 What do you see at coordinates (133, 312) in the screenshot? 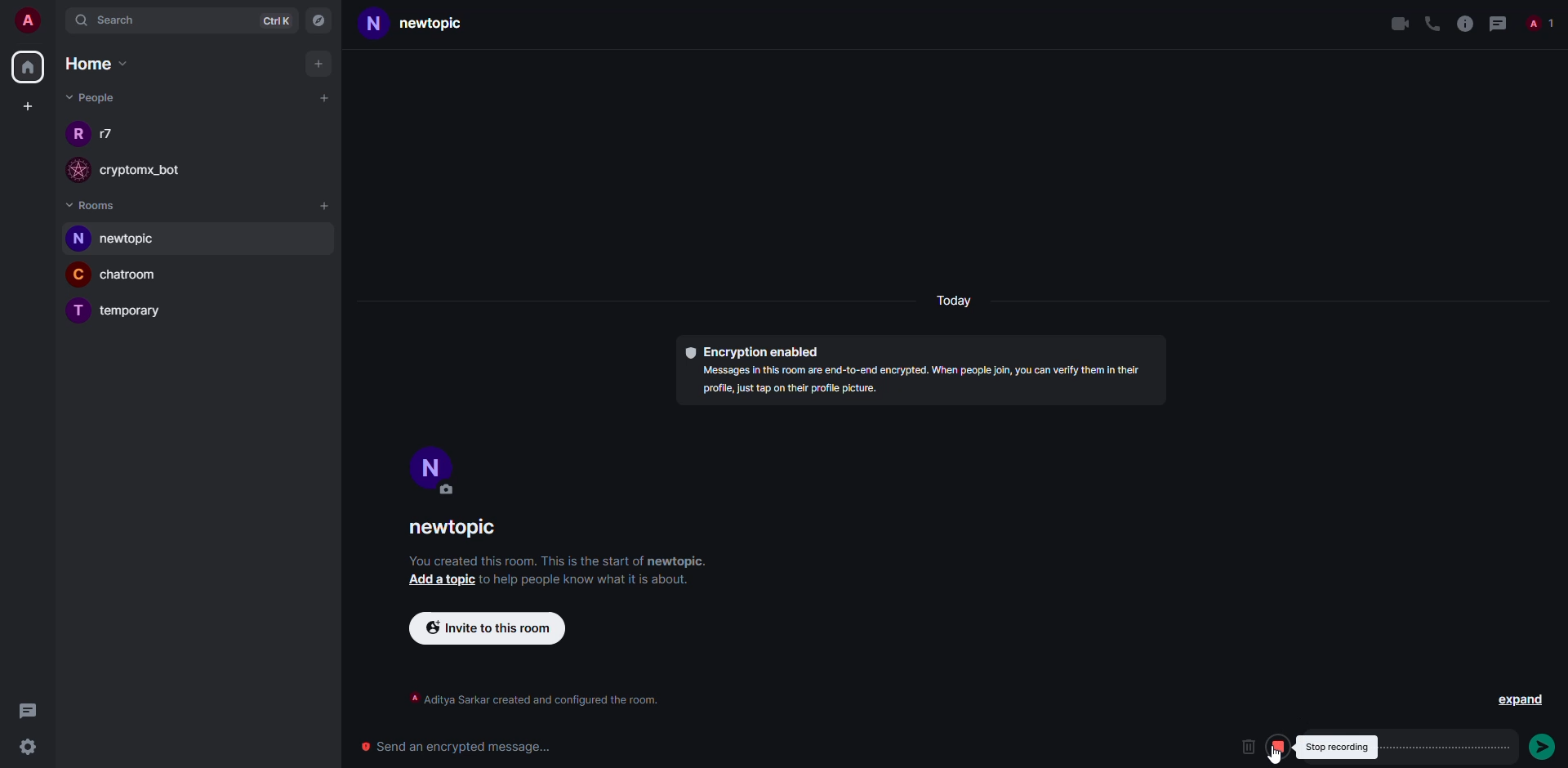
I see `room` at bounding box center [133, 312].